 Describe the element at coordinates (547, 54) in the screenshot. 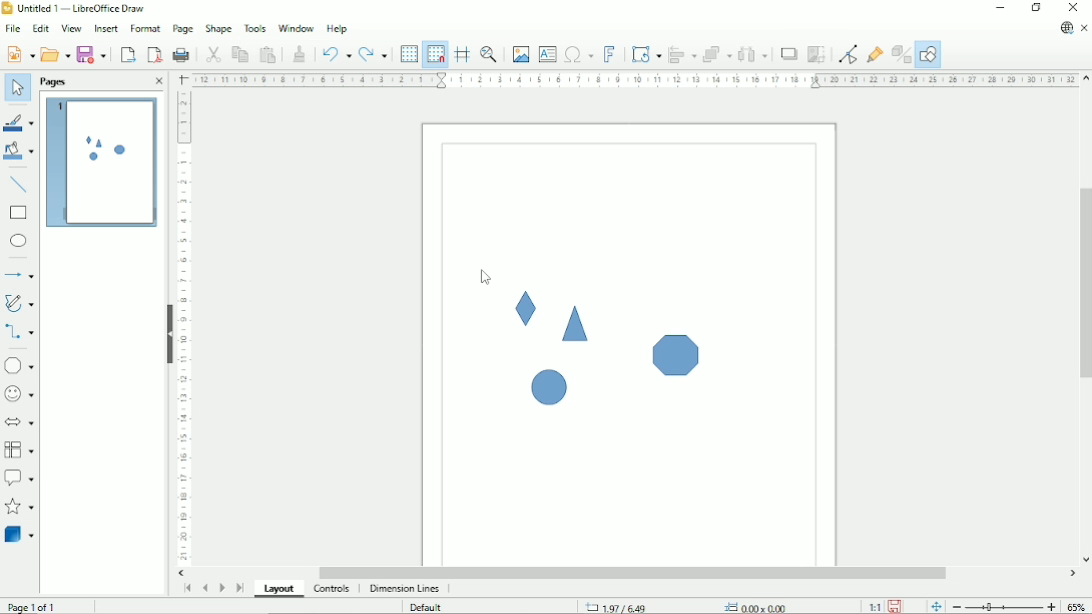

I see `Insert text box` at that location.